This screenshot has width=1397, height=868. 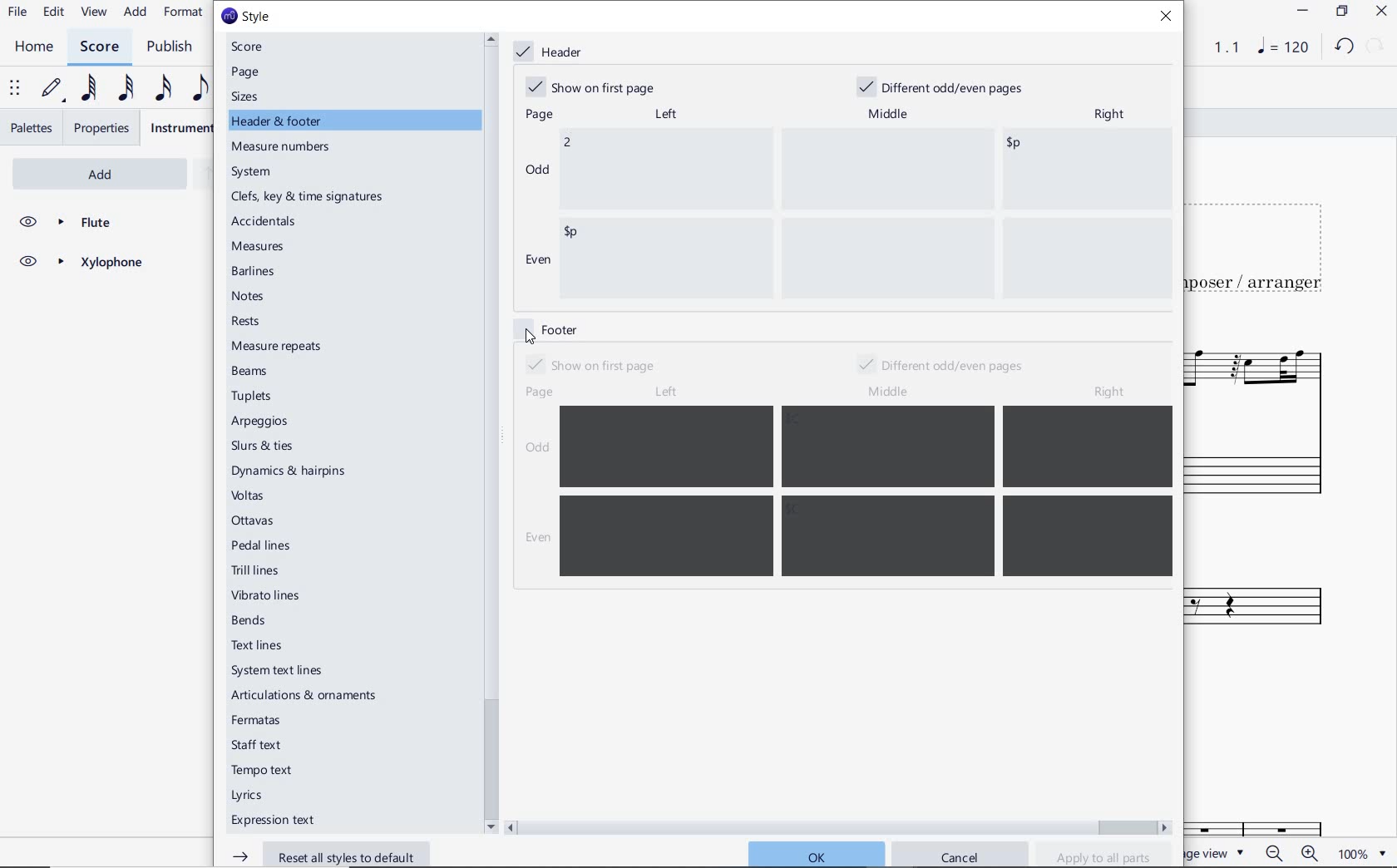 What do you see at coordinates (537, 169) in the screenshot?
I see `odd` at bounding box center [537, 169].